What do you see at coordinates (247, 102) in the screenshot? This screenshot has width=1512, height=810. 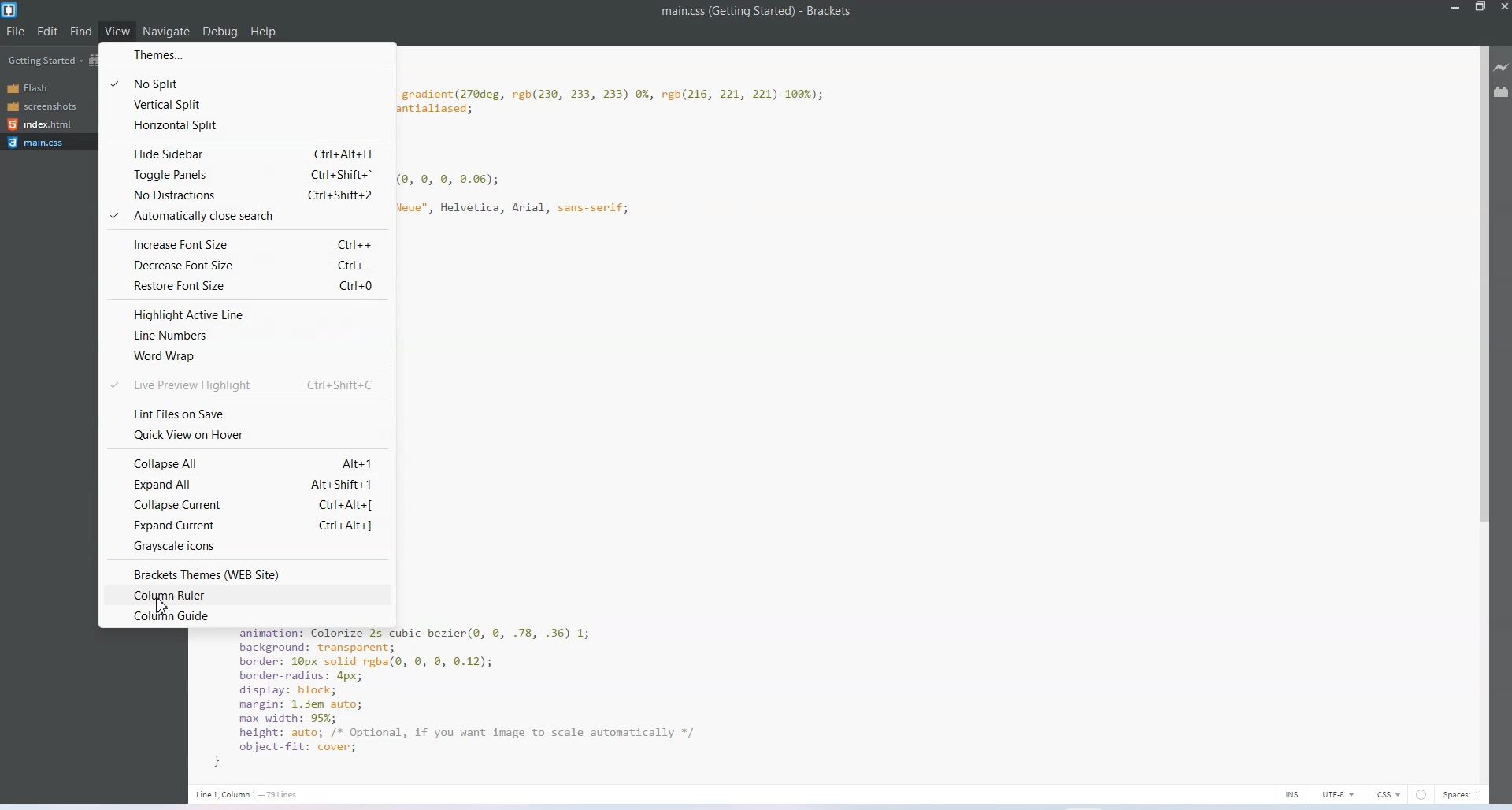 I see `Vertical split` at bounding box center [247, 102].